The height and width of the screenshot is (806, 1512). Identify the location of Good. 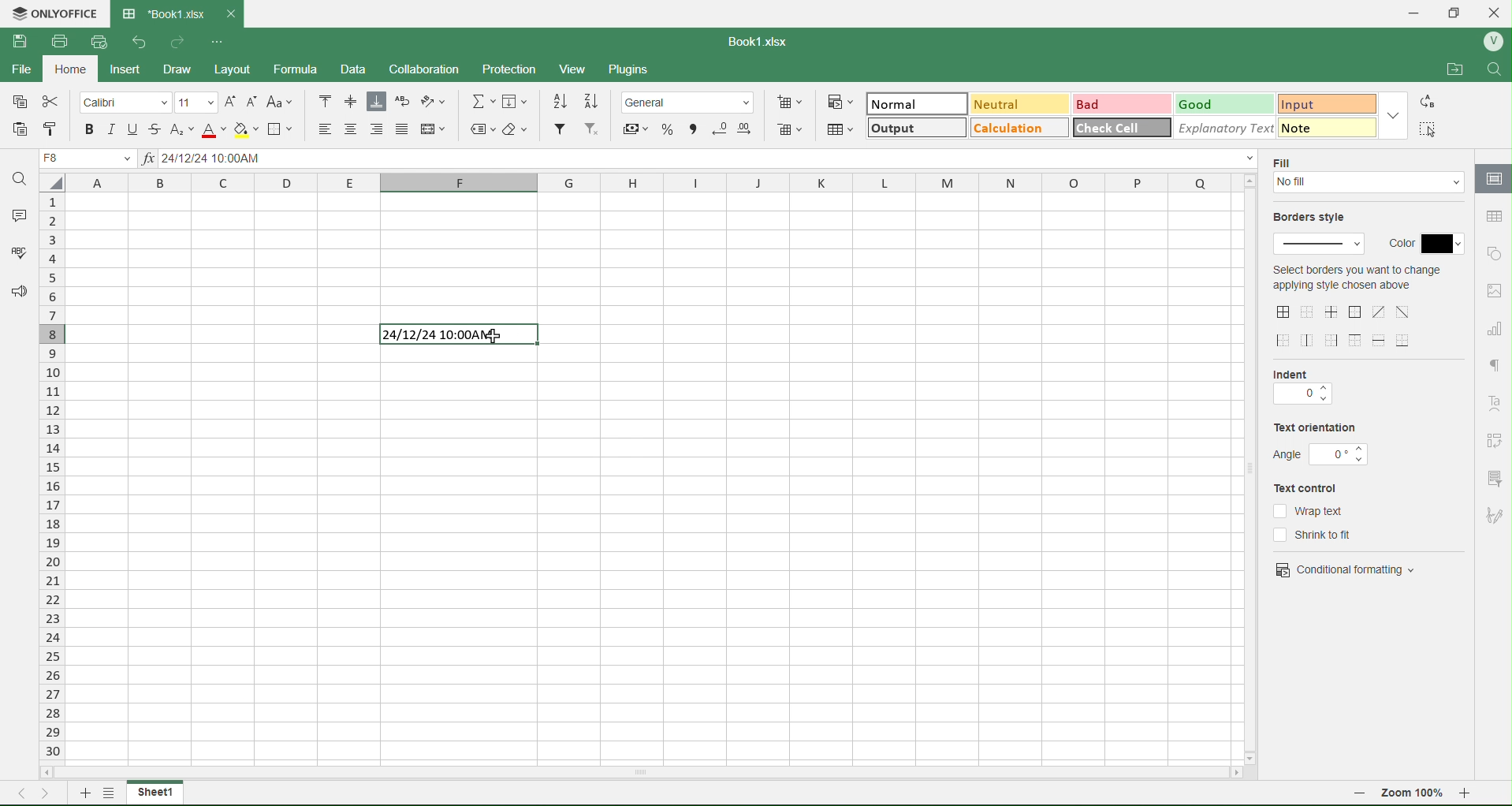
(1204, 103).